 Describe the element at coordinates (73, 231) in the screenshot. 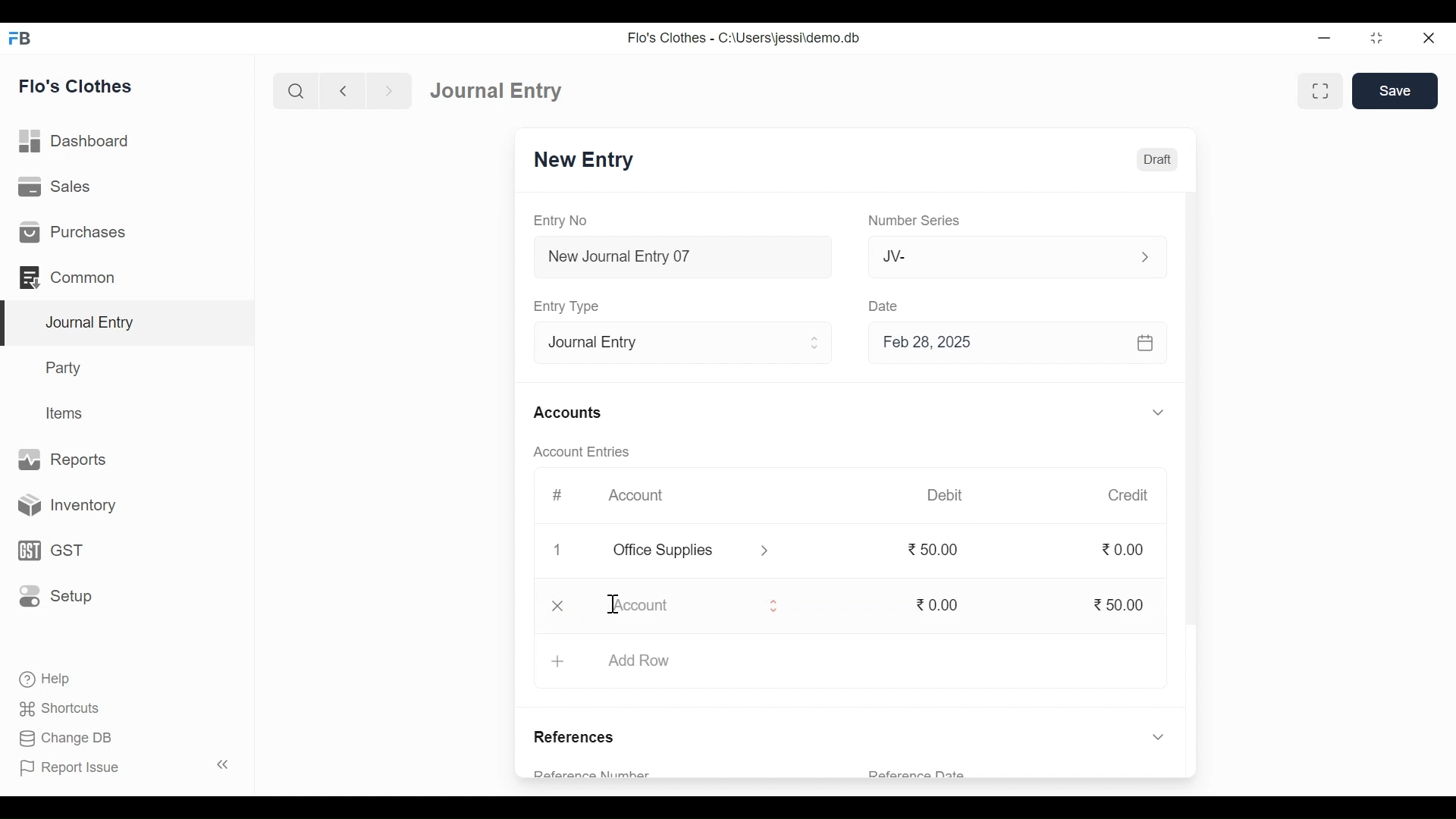

I see `Purchases` at that location.